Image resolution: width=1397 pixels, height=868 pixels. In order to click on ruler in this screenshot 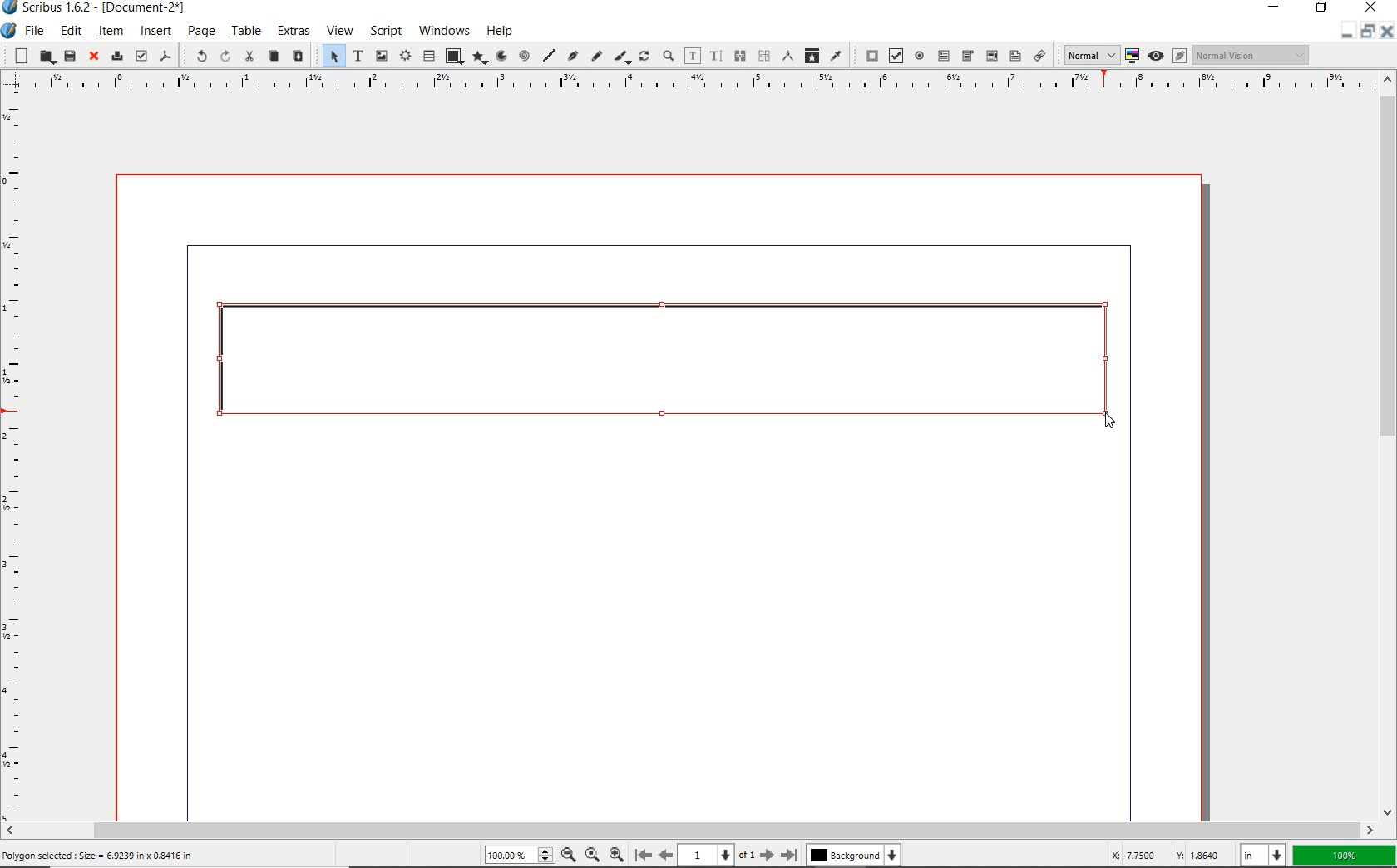, I will do `click(16, 456)`.